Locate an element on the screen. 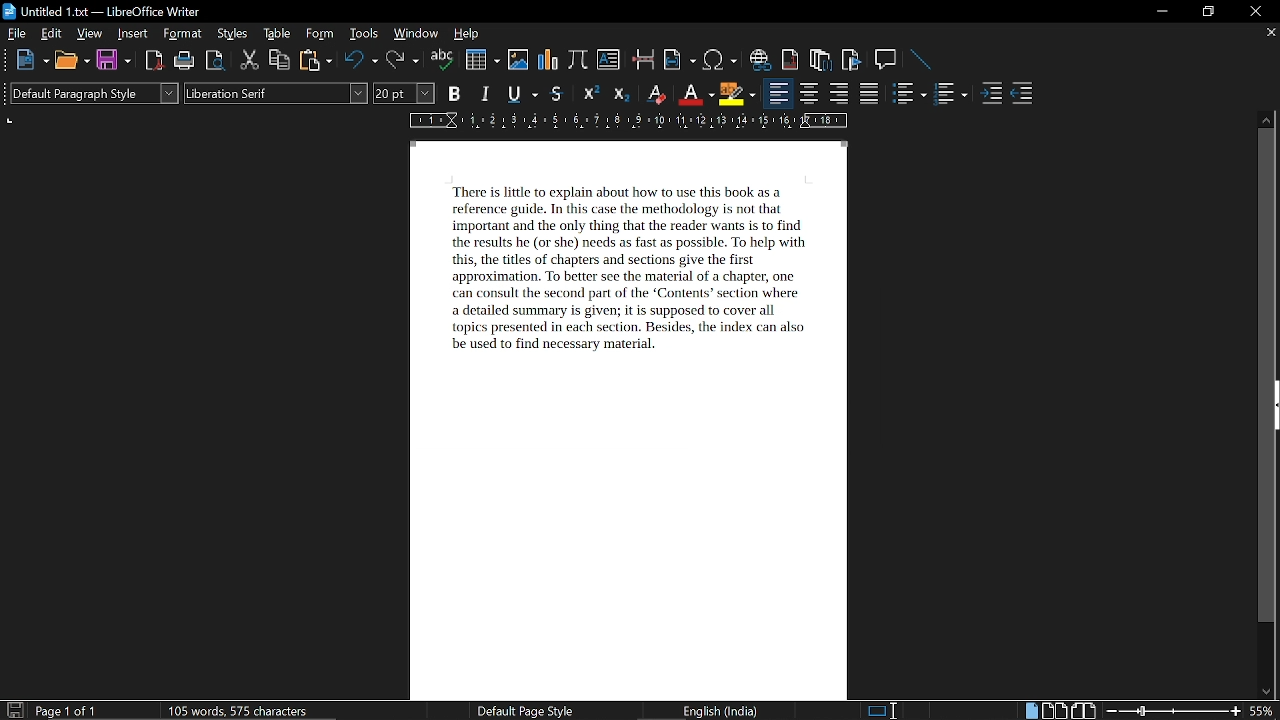  paste is located at coordinates (314, 60).